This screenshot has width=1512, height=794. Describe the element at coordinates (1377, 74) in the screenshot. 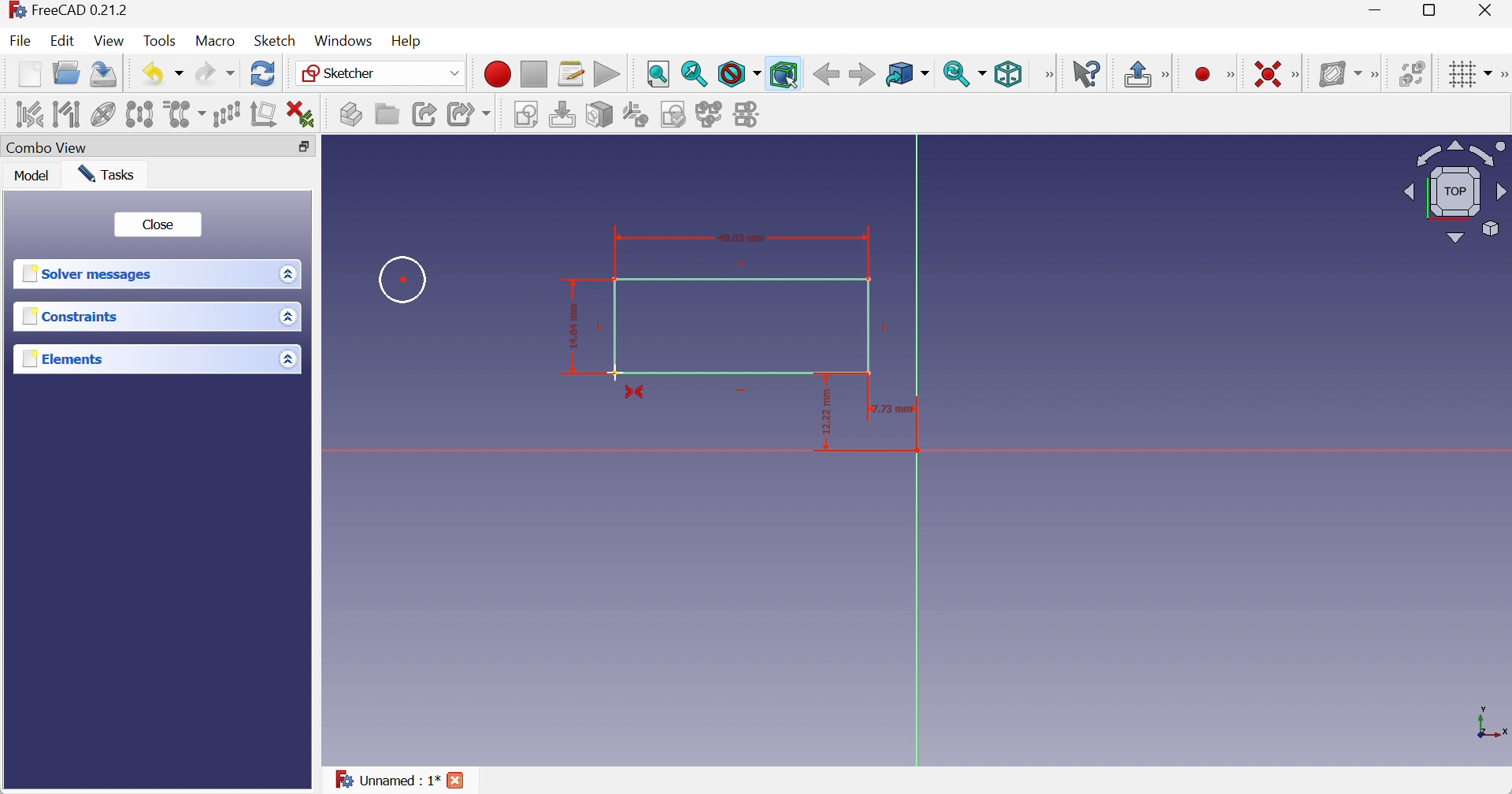

I see `[Sketcher B-spline tools]` at that location.